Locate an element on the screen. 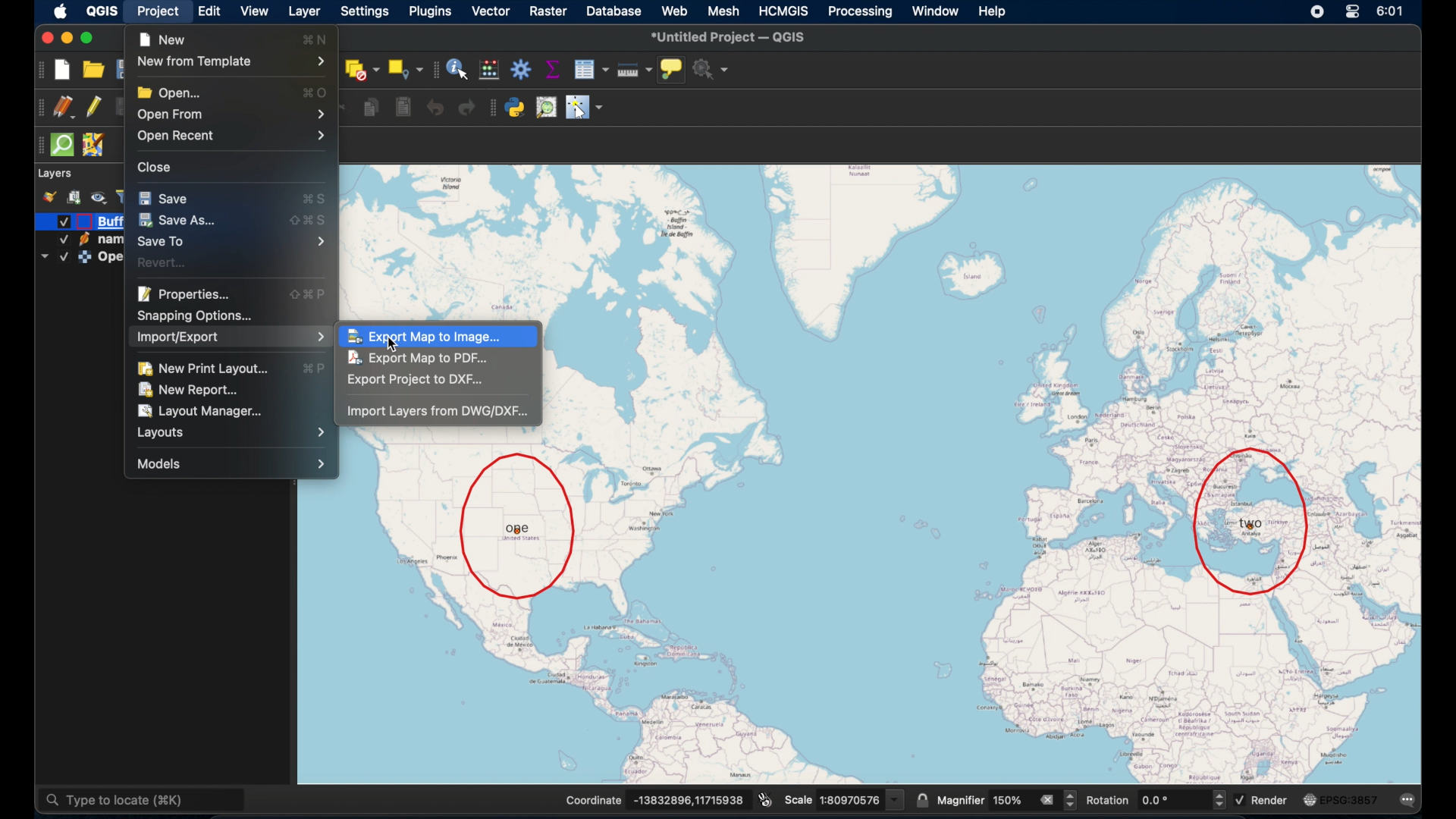  models  is located at coordinates (231, 464).